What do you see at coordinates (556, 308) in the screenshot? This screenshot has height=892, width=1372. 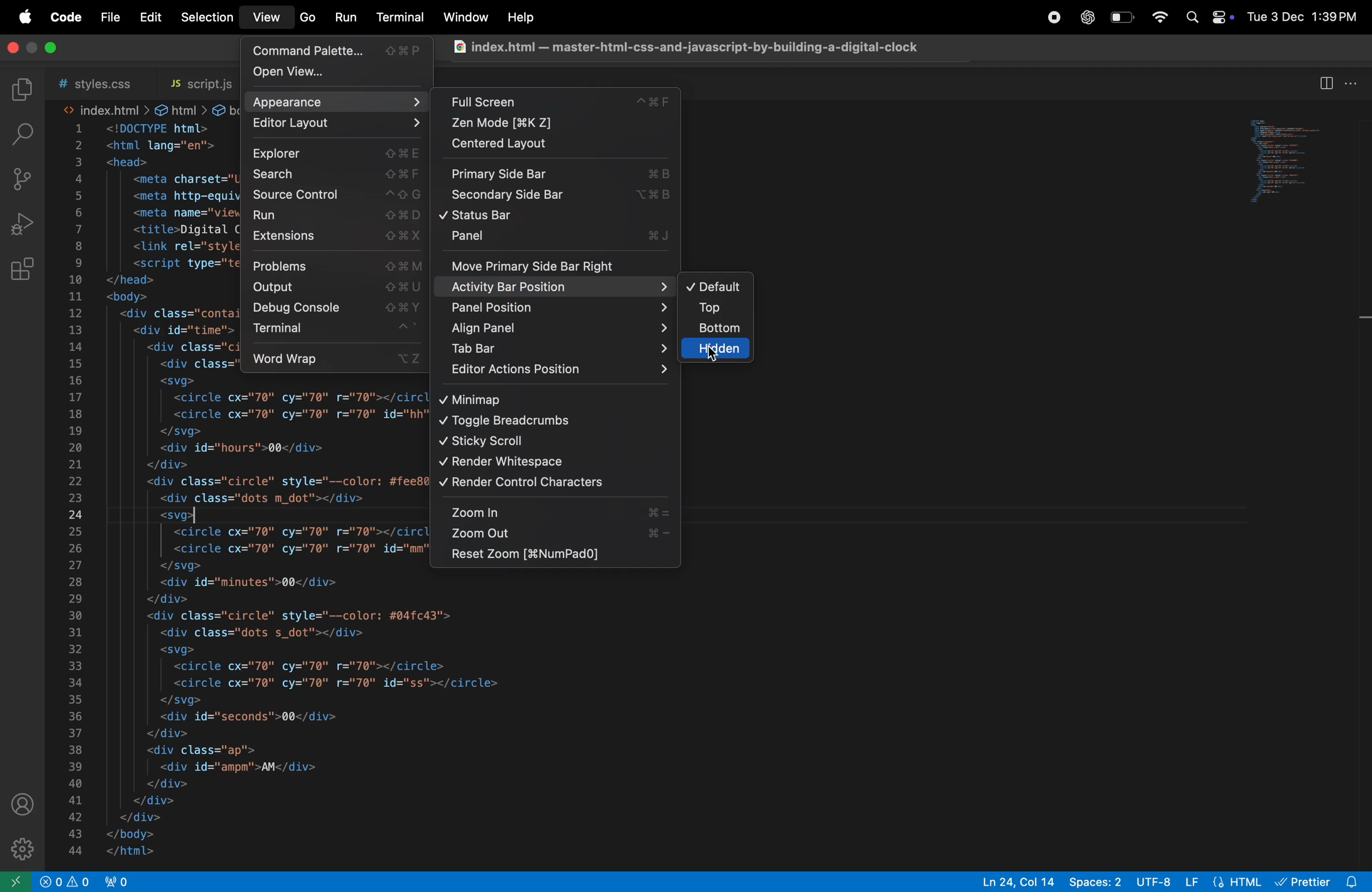 I see `panel position` at bounding box center [556, 308].